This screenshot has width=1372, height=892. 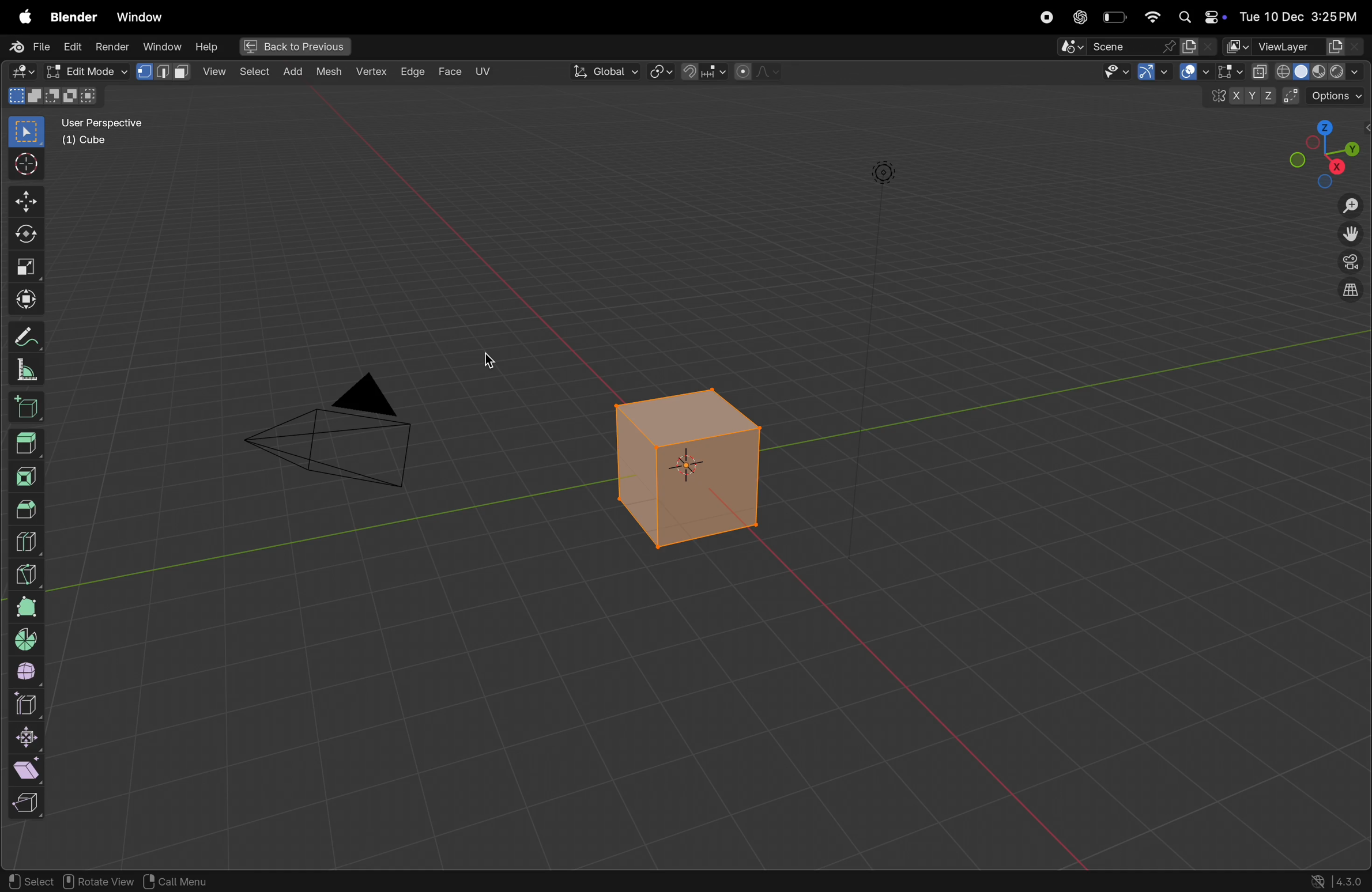 What do you see at coordinates (29, 878) in the screenshot?
I see `select` at bounding box center [29, 878].